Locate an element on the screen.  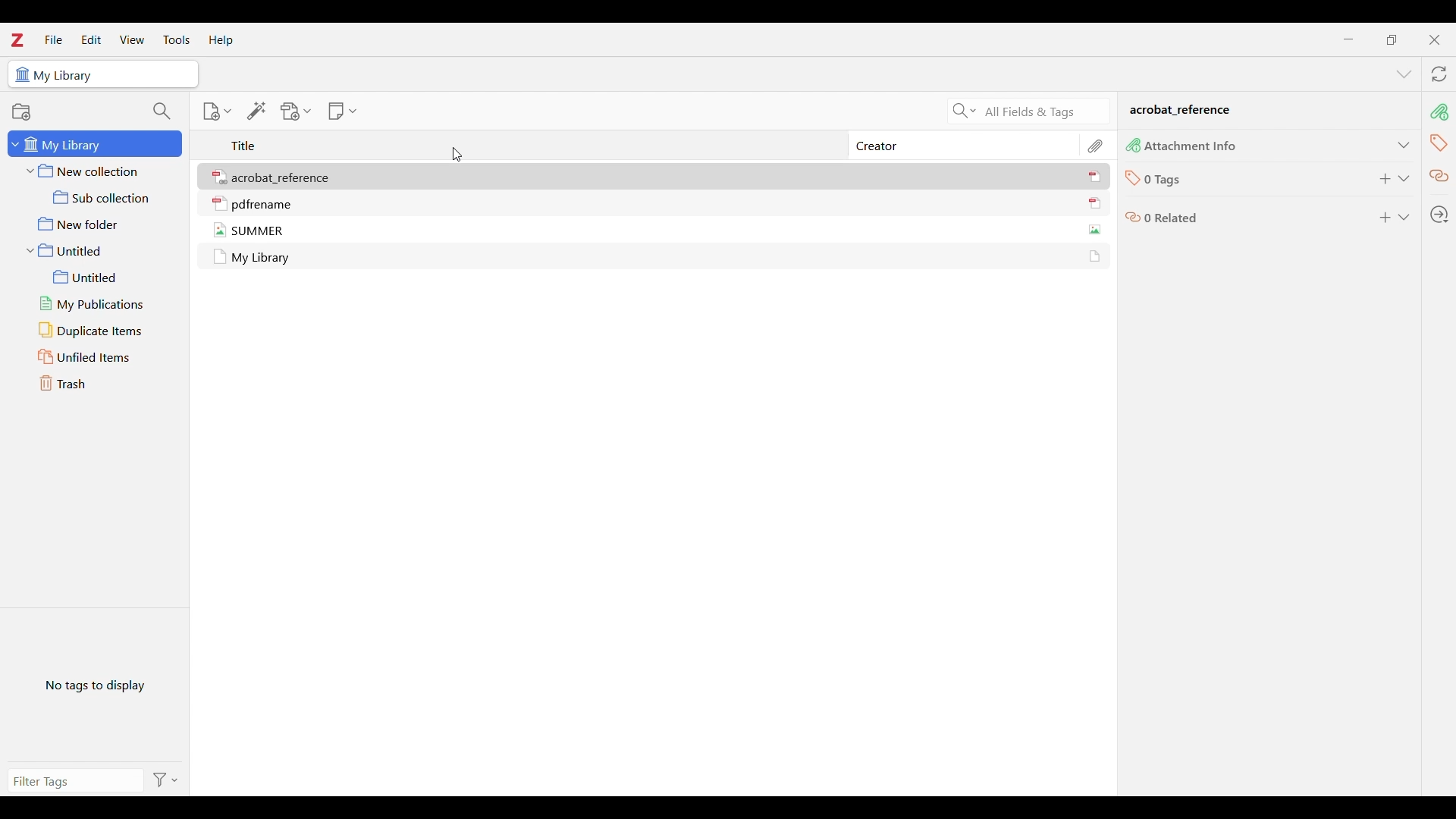
Trash folder is located at coordinates (99, 383).